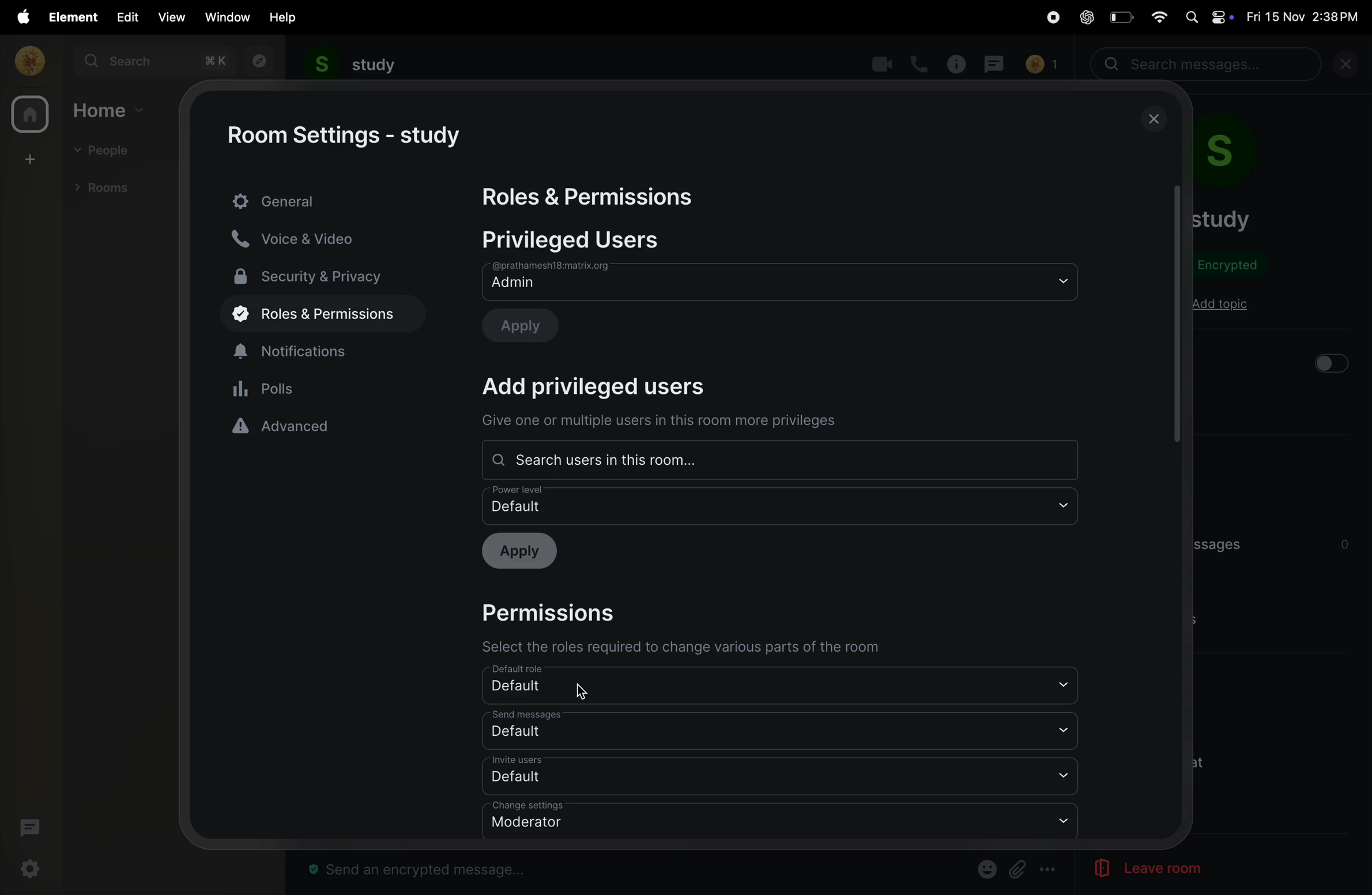 This screenshot has height=895, width=1372. What do you see at coordinates (1241, 156) in the screenshot?
I see `room profile` at bounding box center [1241, 156].